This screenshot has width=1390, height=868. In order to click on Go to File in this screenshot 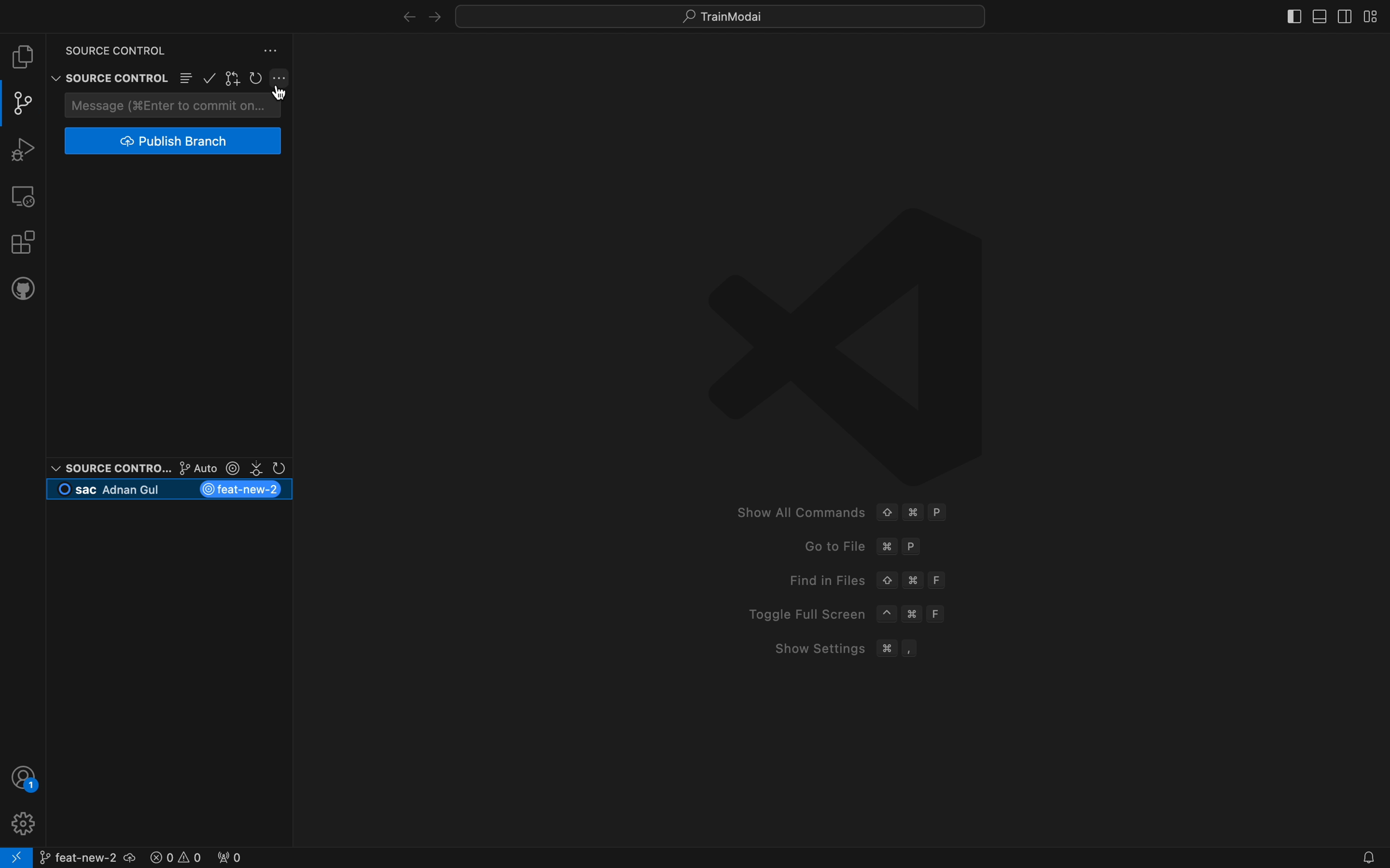, I will do `click(823, 547)`.